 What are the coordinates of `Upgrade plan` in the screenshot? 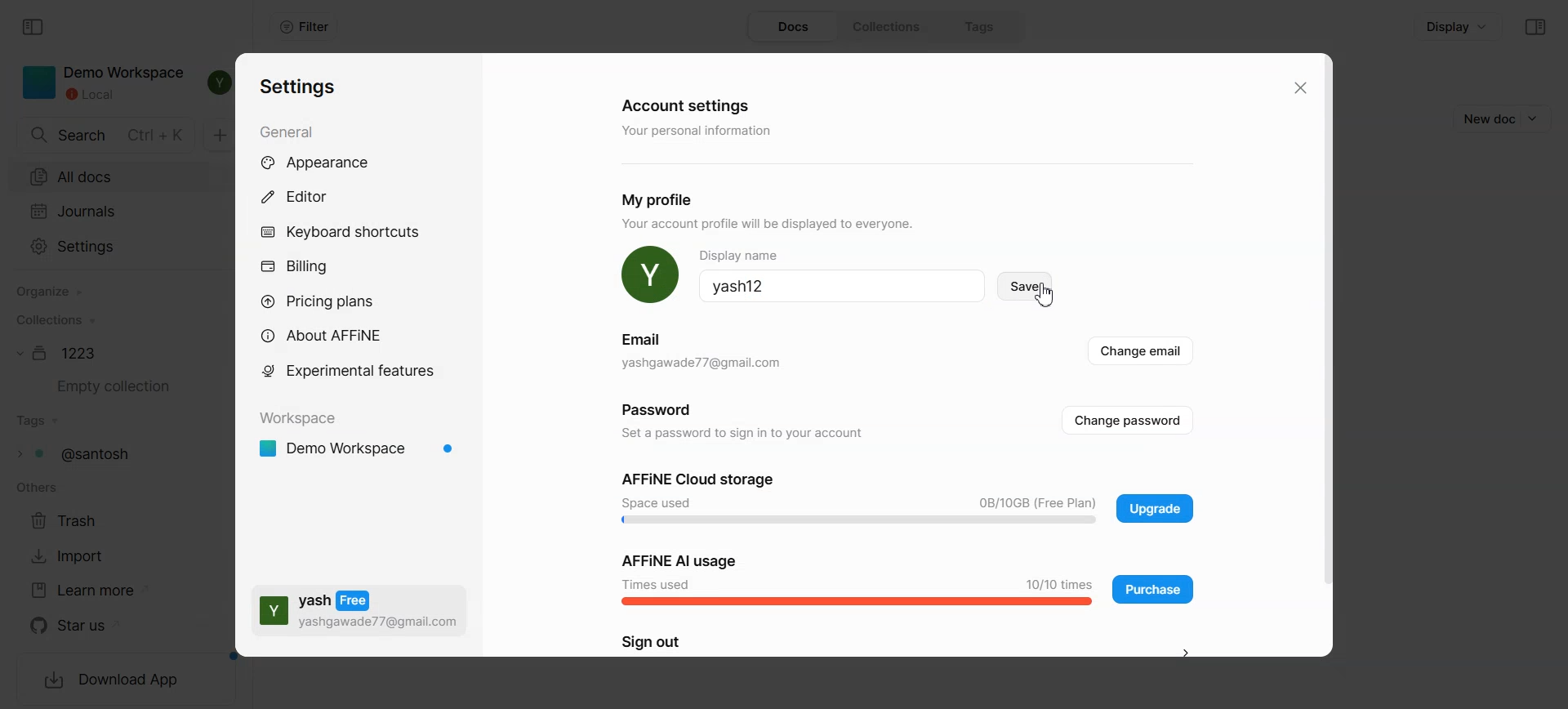 It's located at (1154, 508).